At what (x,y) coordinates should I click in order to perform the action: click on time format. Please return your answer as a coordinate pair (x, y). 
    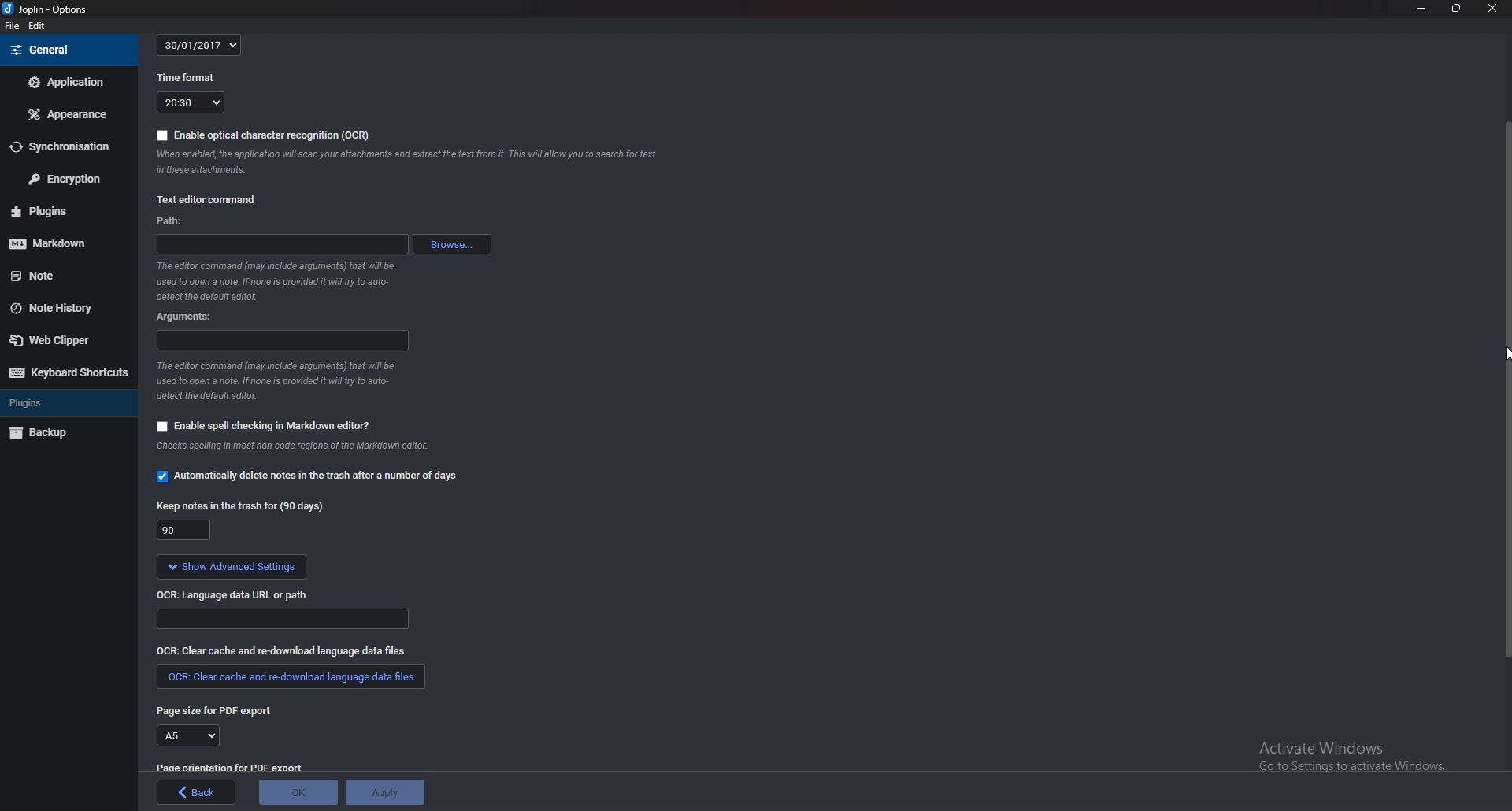
    Looking at the image, I should click on (186, 80).